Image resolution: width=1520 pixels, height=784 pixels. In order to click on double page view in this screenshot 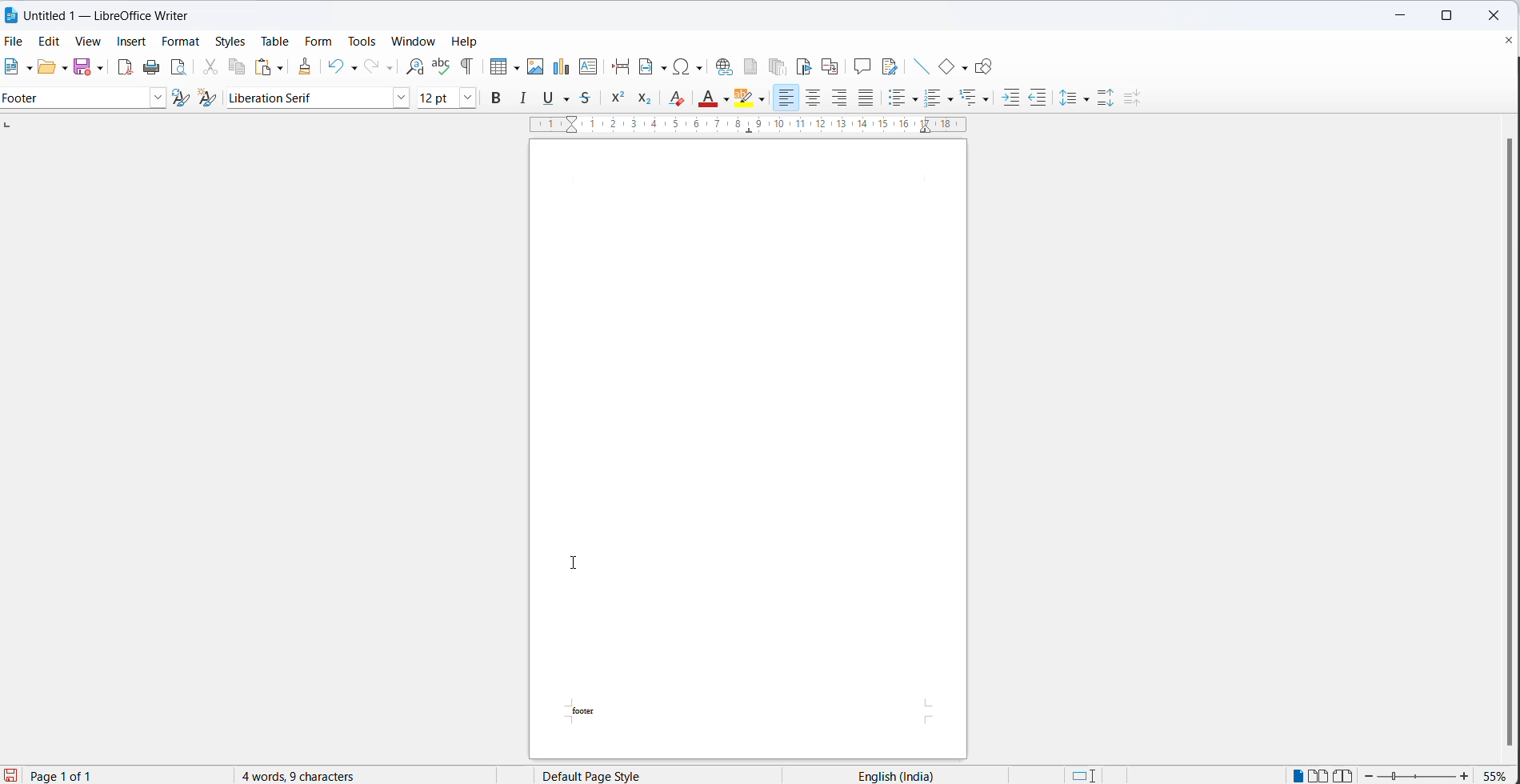, I will do `click(1319, 774)`.